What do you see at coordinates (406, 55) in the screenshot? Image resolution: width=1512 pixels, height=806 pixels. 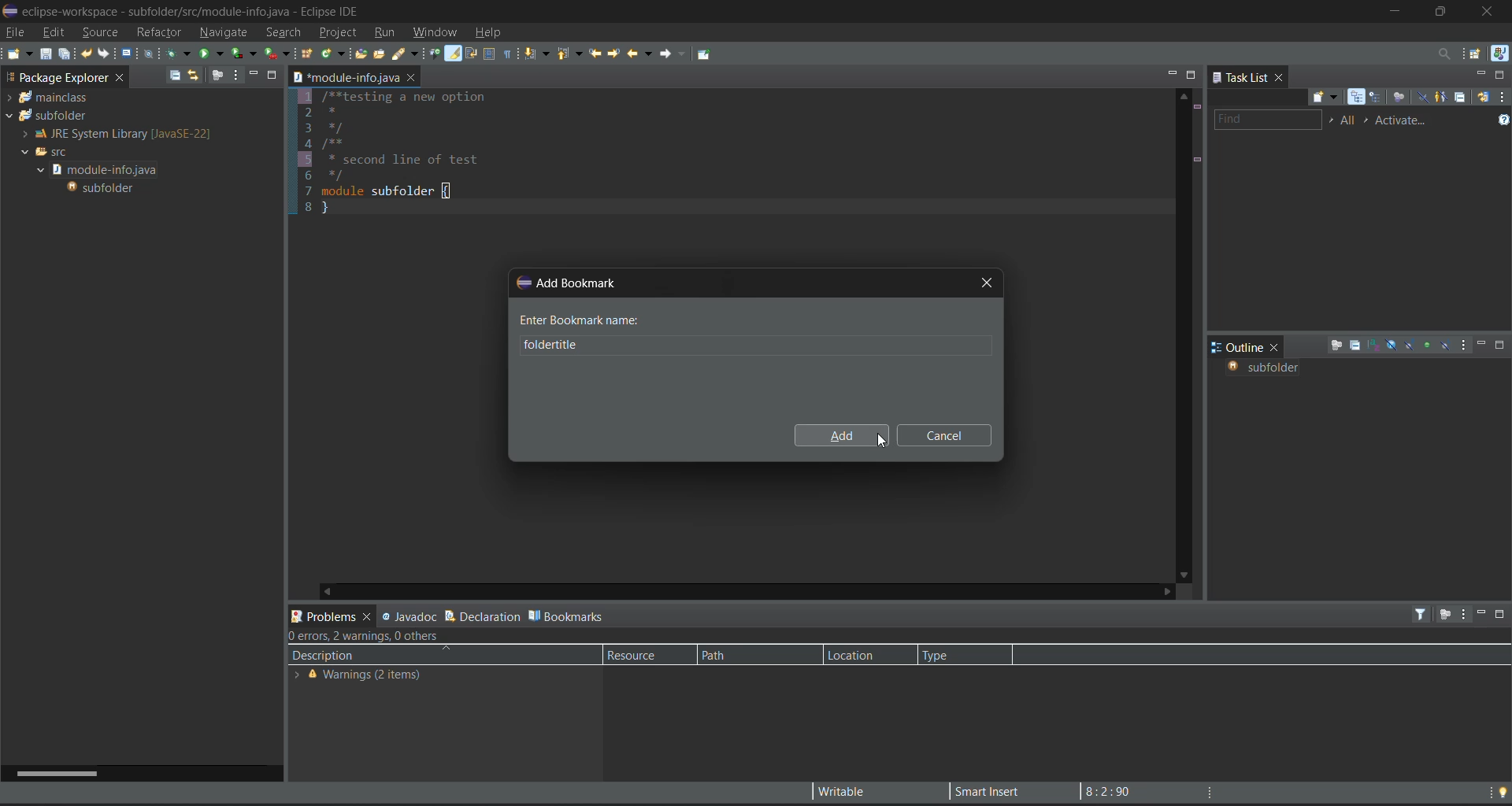 I see `search` at bounding box center [406, 55].